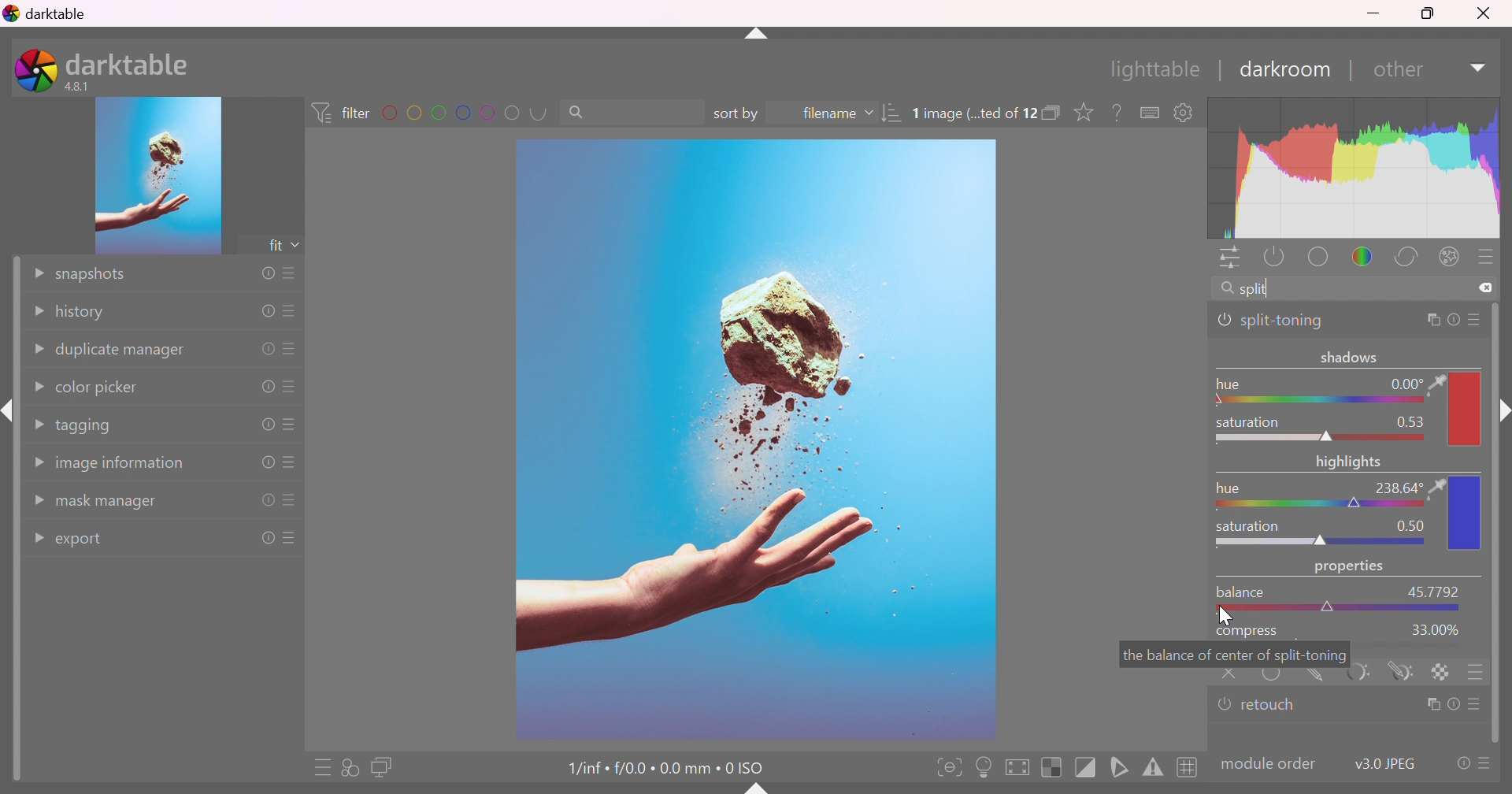 The height and width of the screenshot is (794, 1512). What do you see at coordinates (1053, 110) in the screenshot?
I see `collapse grouped images` at bounding box center [1053, 110].